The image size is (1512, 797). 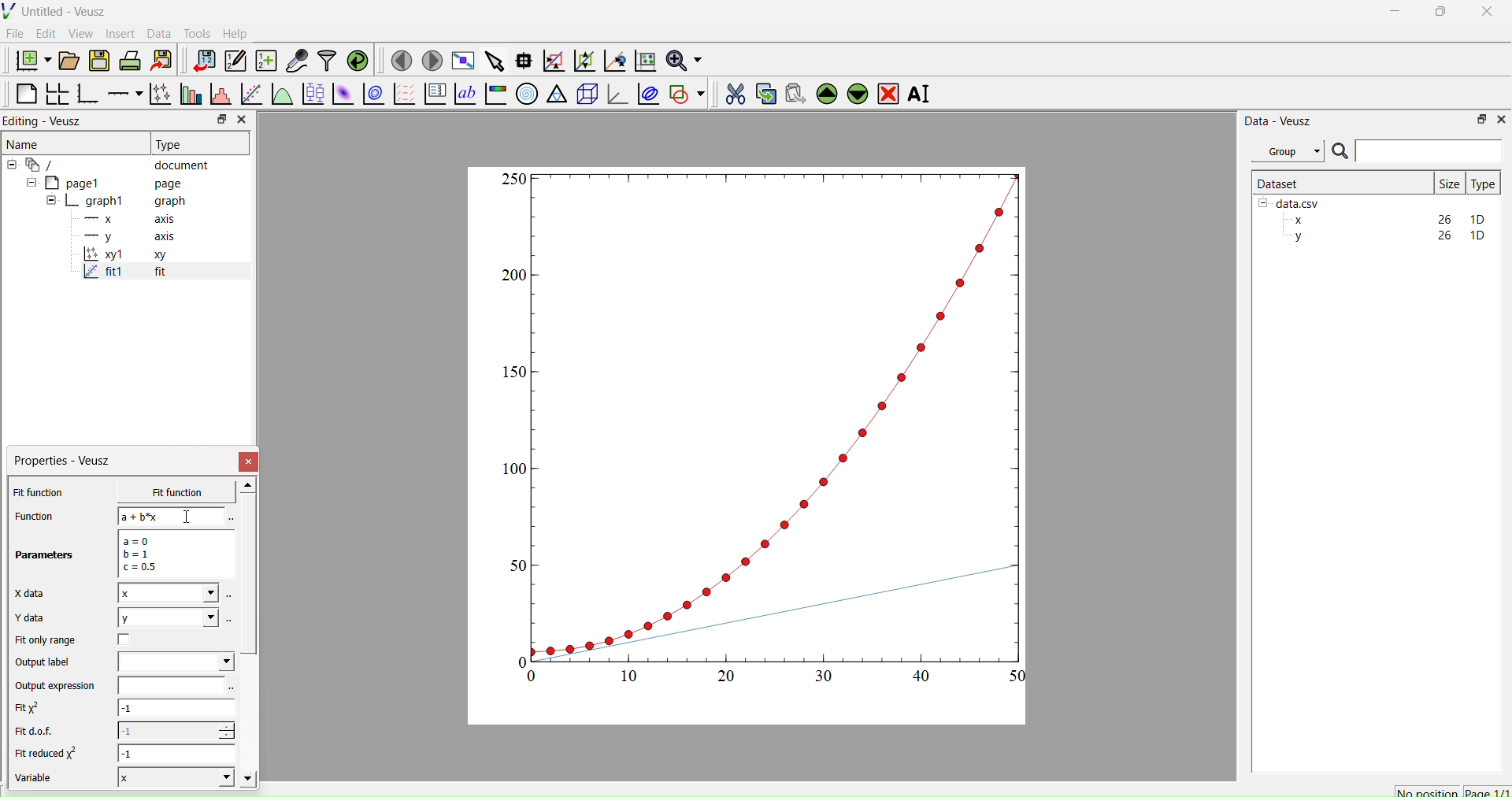 I want to click on Import data, so click(x=200, y=61).